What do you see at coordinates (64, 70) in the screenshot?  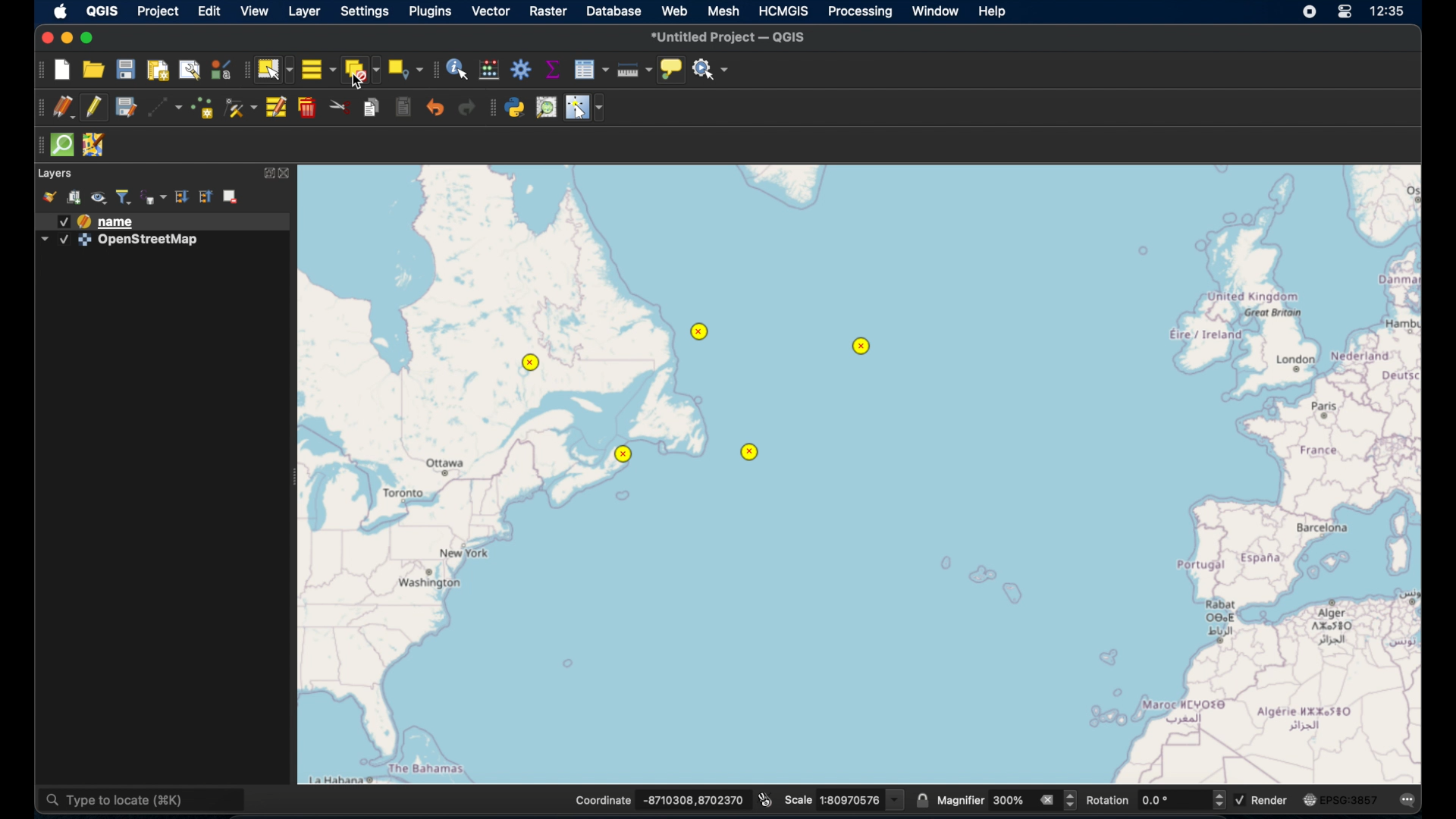 I see `create new` at bounding box center [64, 70].